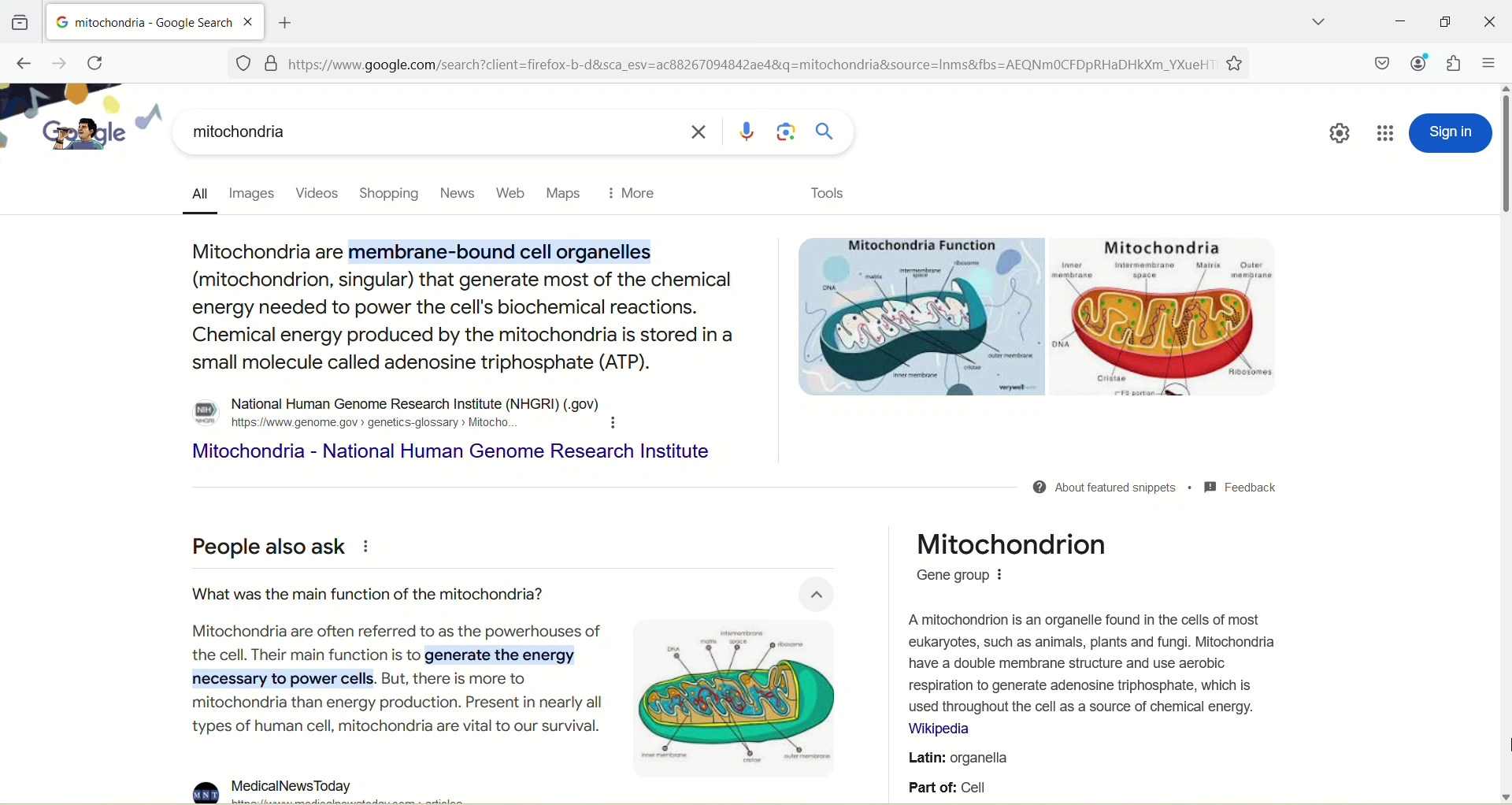  I want to click on go forward one page, so click(55, 62).